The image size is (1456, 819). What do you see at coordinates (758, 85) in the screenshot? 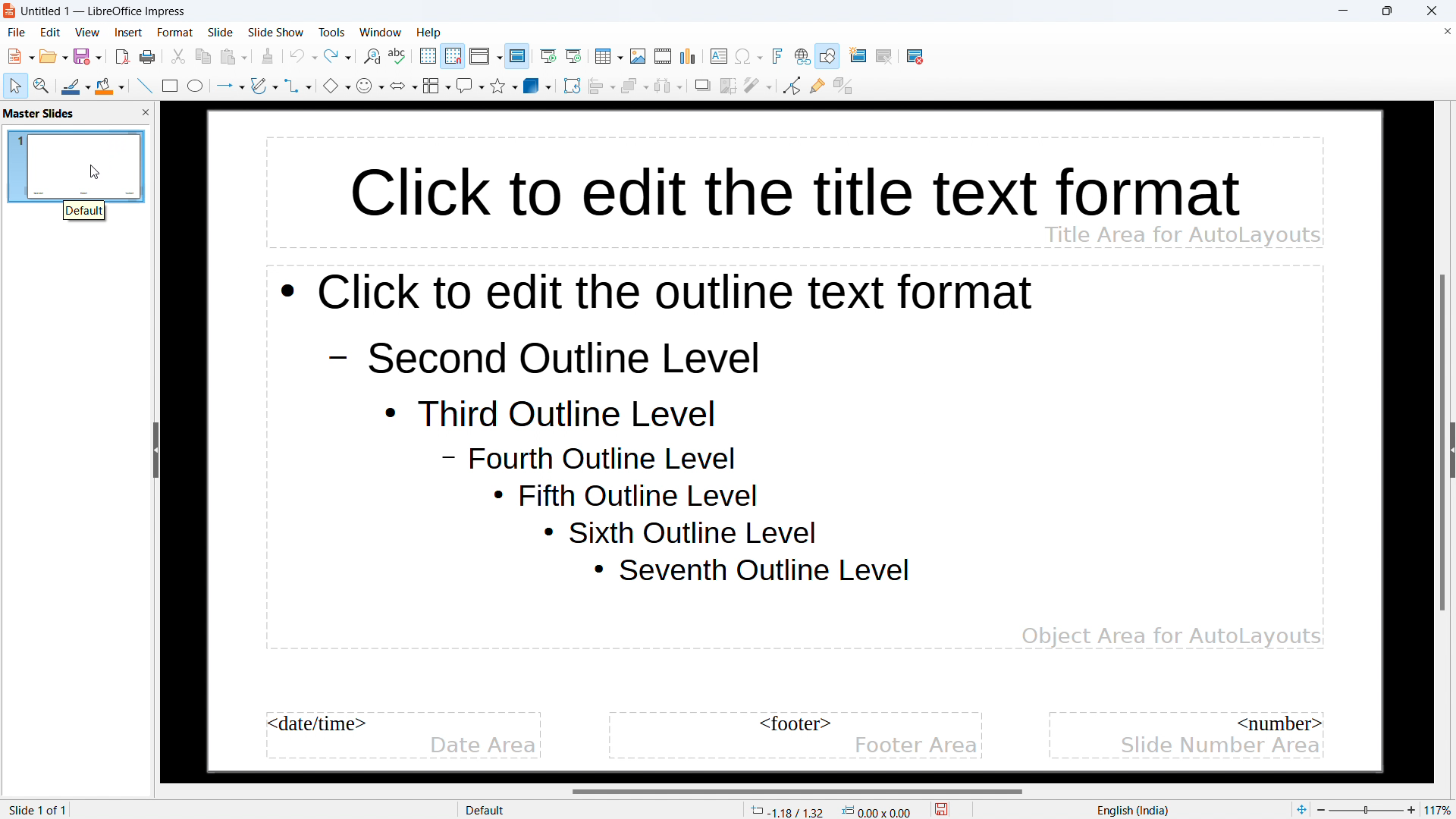
I see `filter` at bounding box center [758, 85].